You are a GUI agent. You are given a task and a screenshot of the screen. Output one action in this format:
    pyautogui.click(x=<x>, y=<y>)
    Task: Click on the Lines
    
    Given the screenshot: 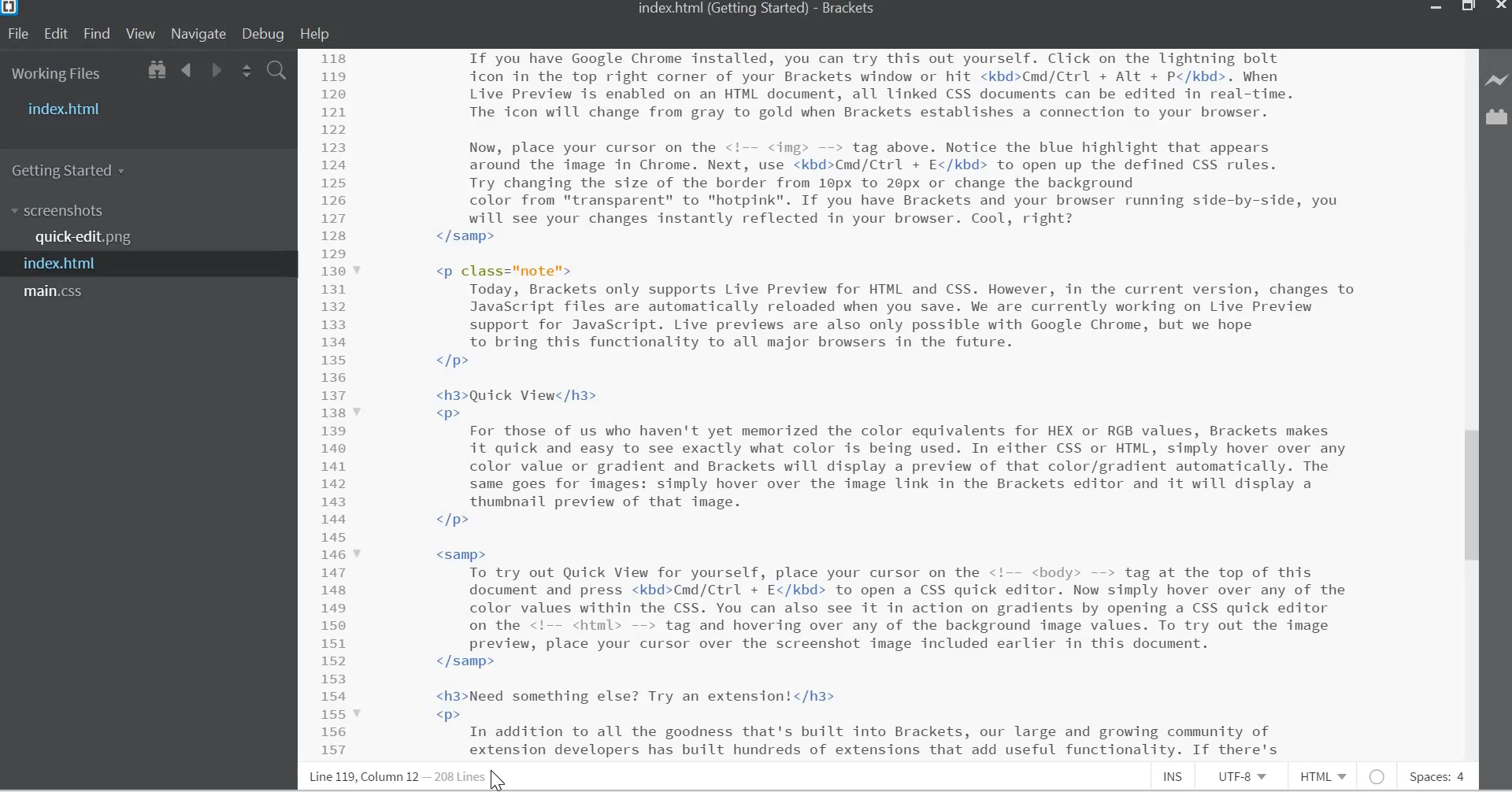 What is the action you would take?
    pyautogui.click(x=461, y=776)
    